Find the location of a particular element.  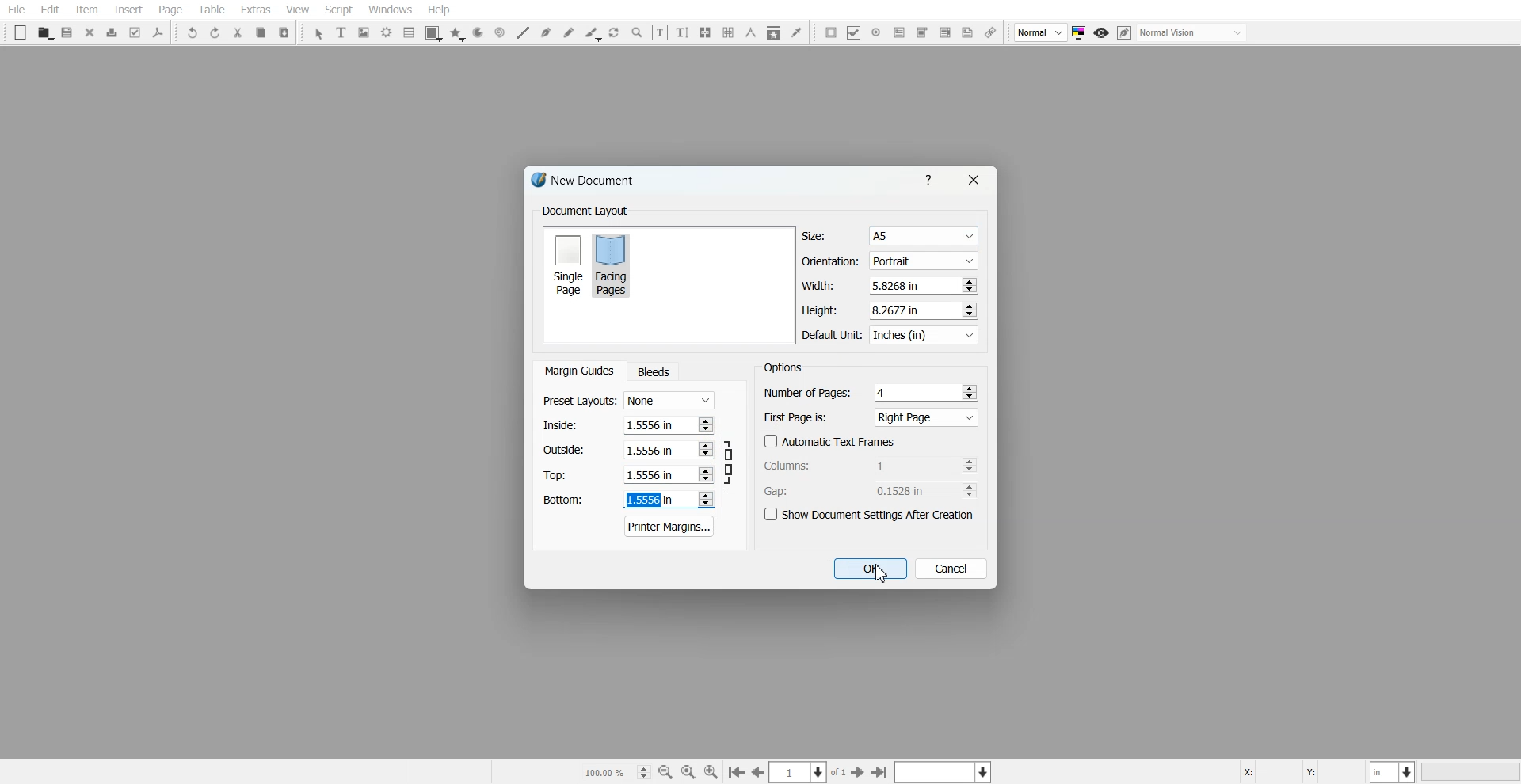

Select Item is located at coordinates (318, 34).